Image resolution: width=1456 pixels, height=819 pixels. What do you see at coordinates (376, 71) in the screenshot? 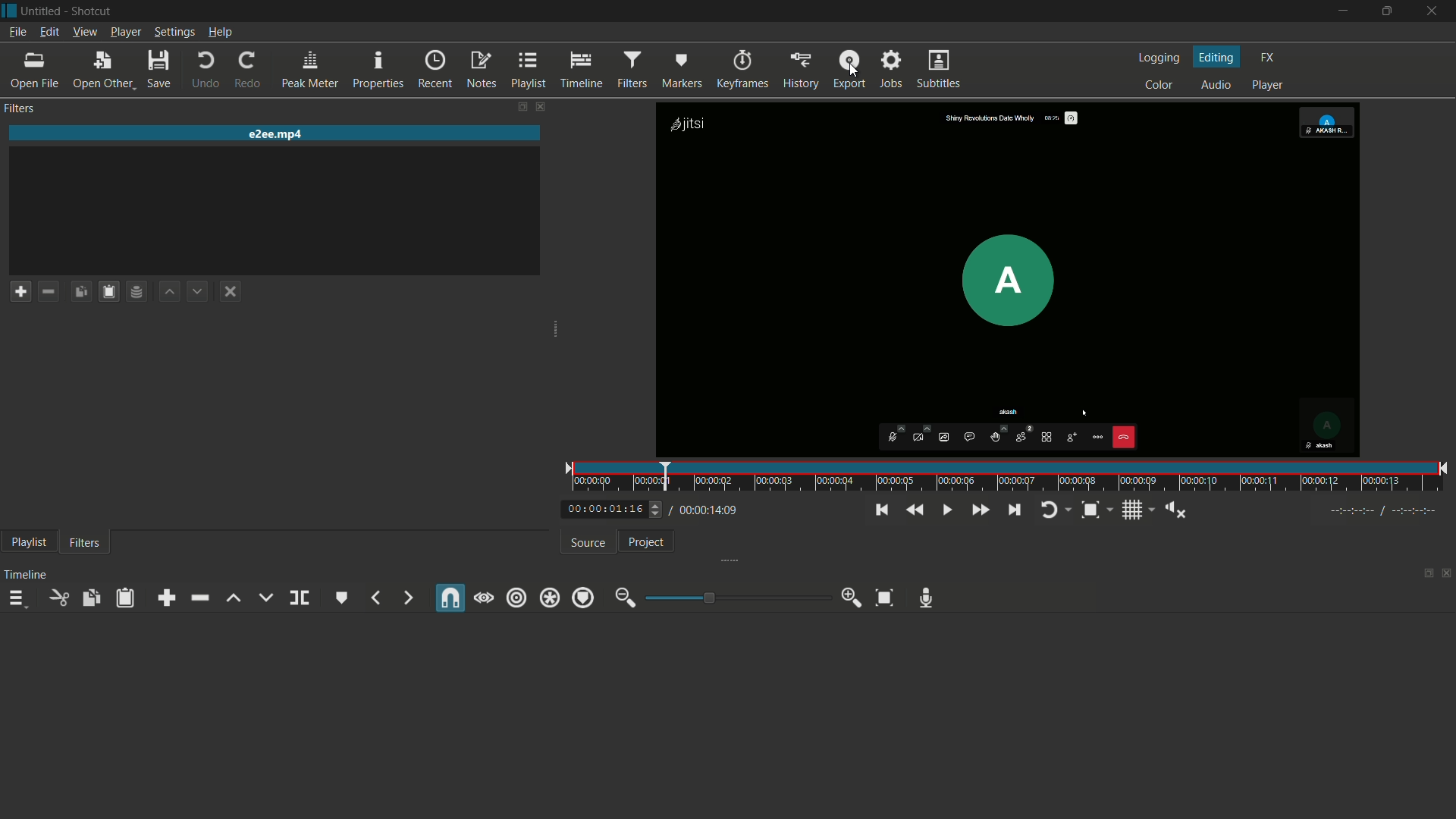
I see `properties` at bounding box center [376, 71].